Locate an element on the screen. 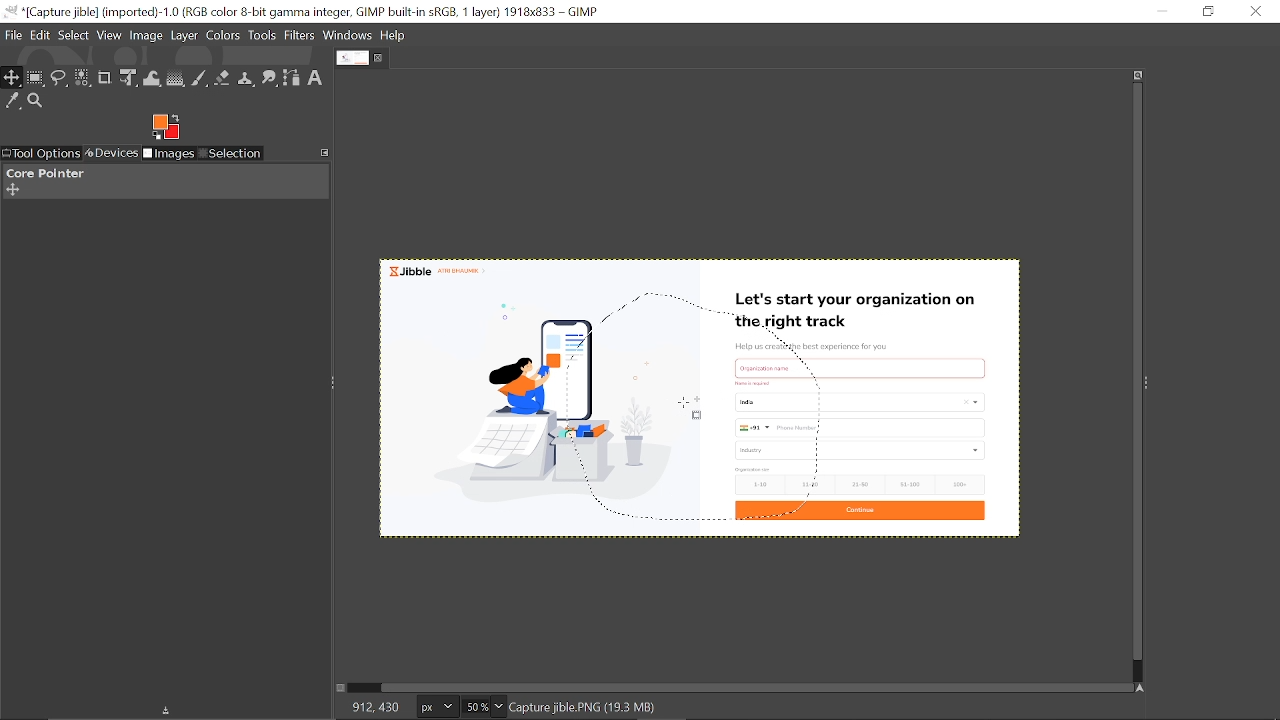 The width and height of the screenshot is (1280, 720). Help us create the best experience for you is located at coordinates (811, 347).